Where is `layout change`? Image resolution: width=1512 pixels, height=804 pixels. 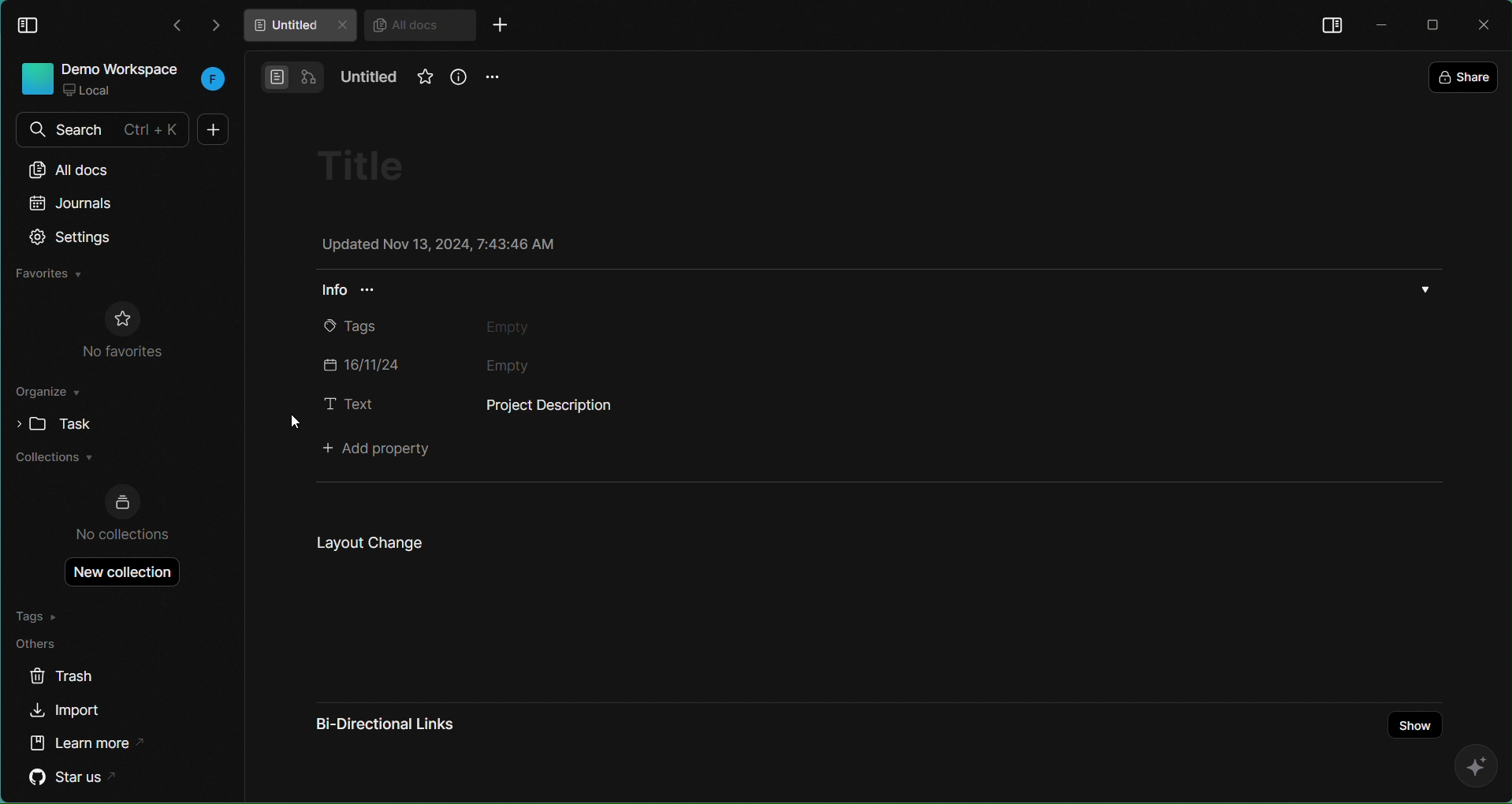
layout change is located at coordinates (366, 542).